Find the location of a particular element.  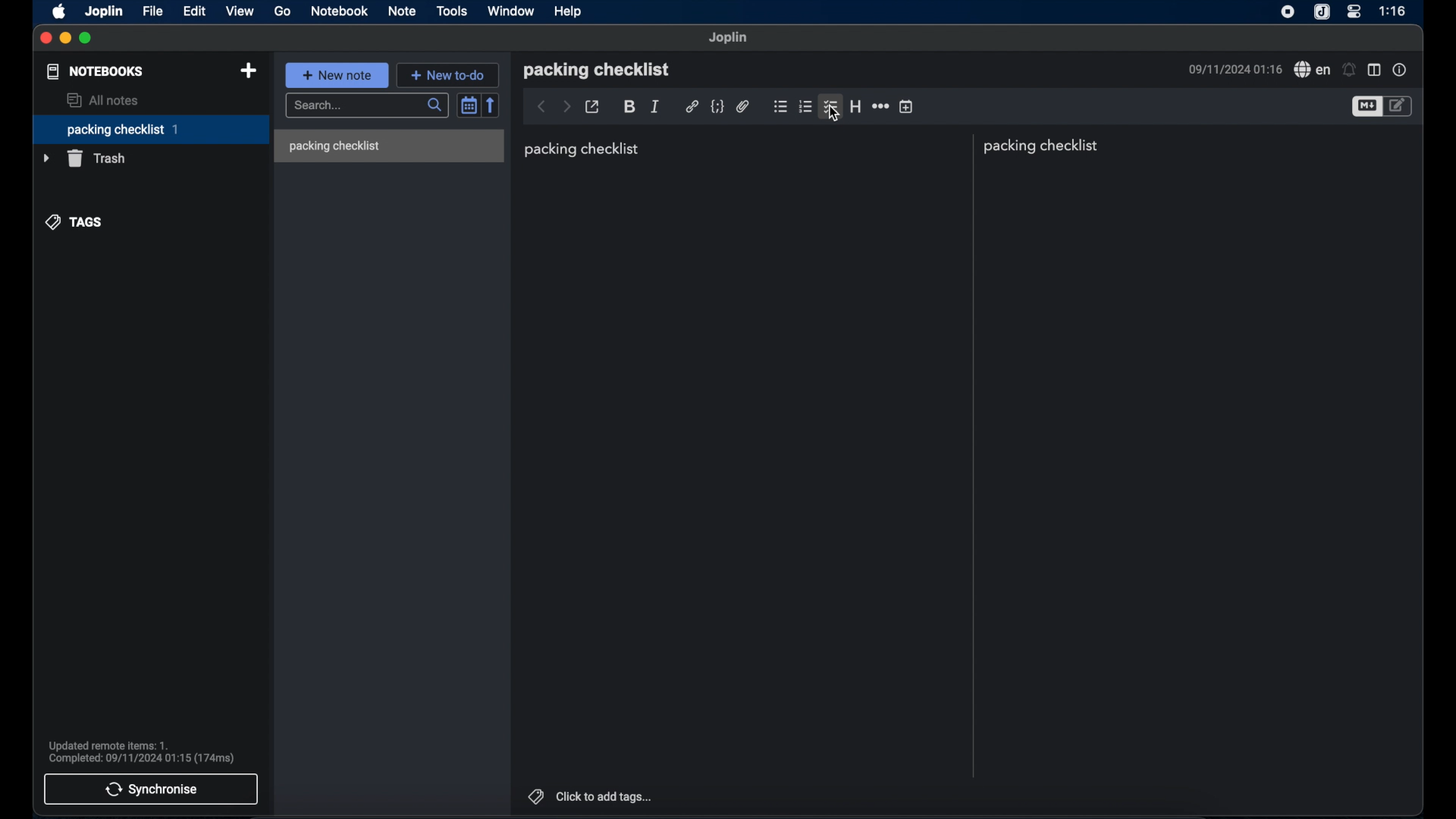

edit is located at coordinates (195, 11).